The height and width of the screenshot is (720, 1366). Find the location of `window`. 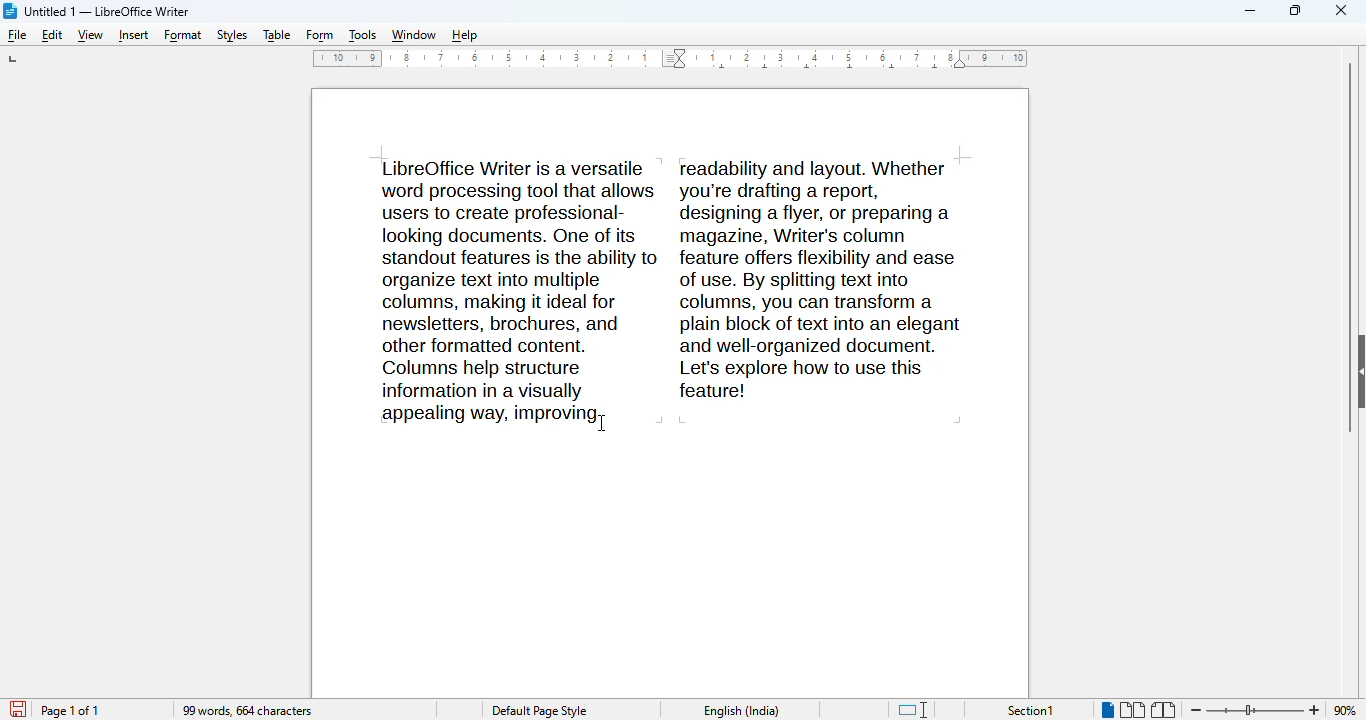

window is located at coordinates (413, 37).